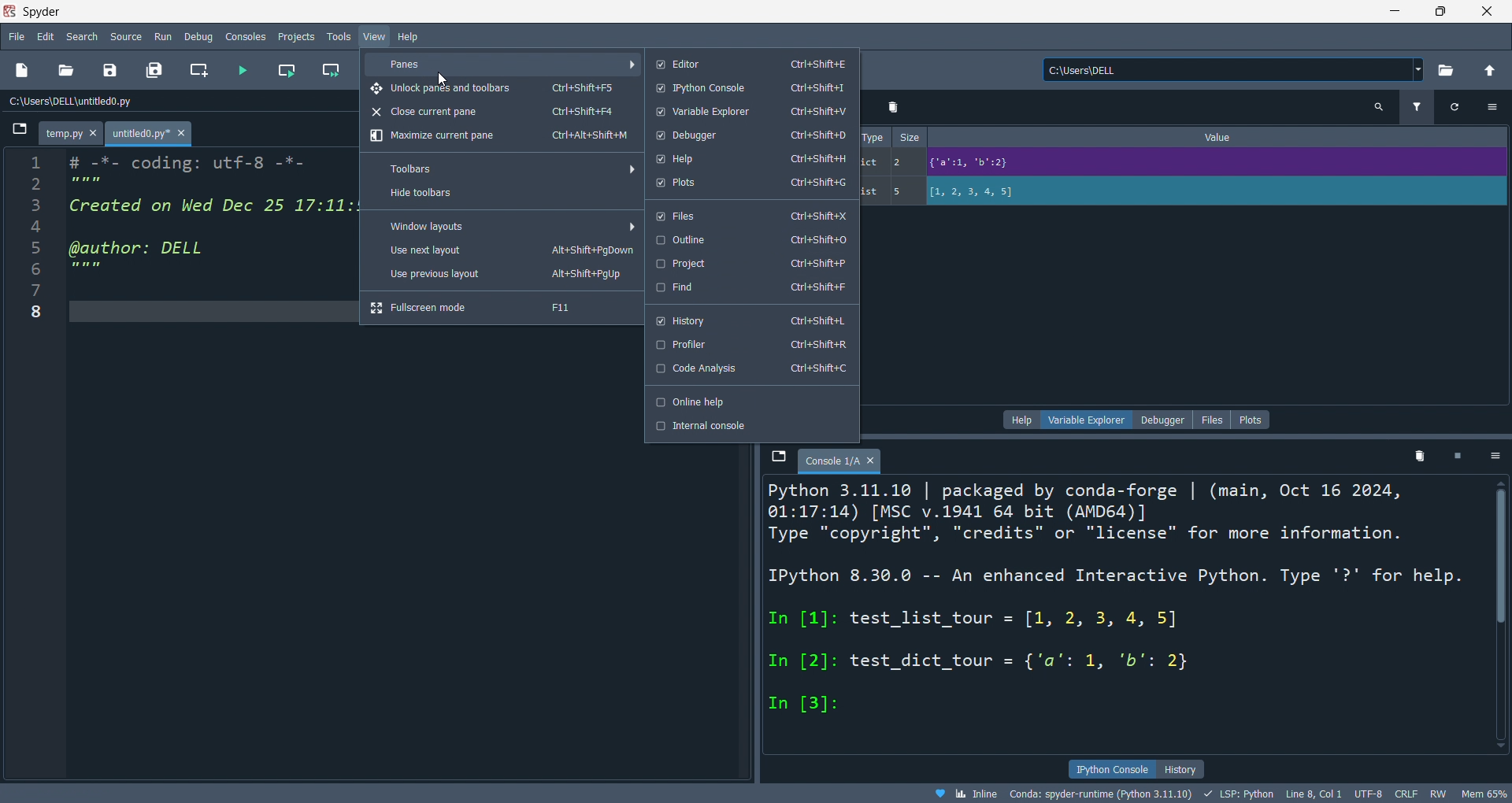  What do you see at coordinates (1417, 459) in the screenshot?
I see `delete variables` at bounding box center [1417, 459].